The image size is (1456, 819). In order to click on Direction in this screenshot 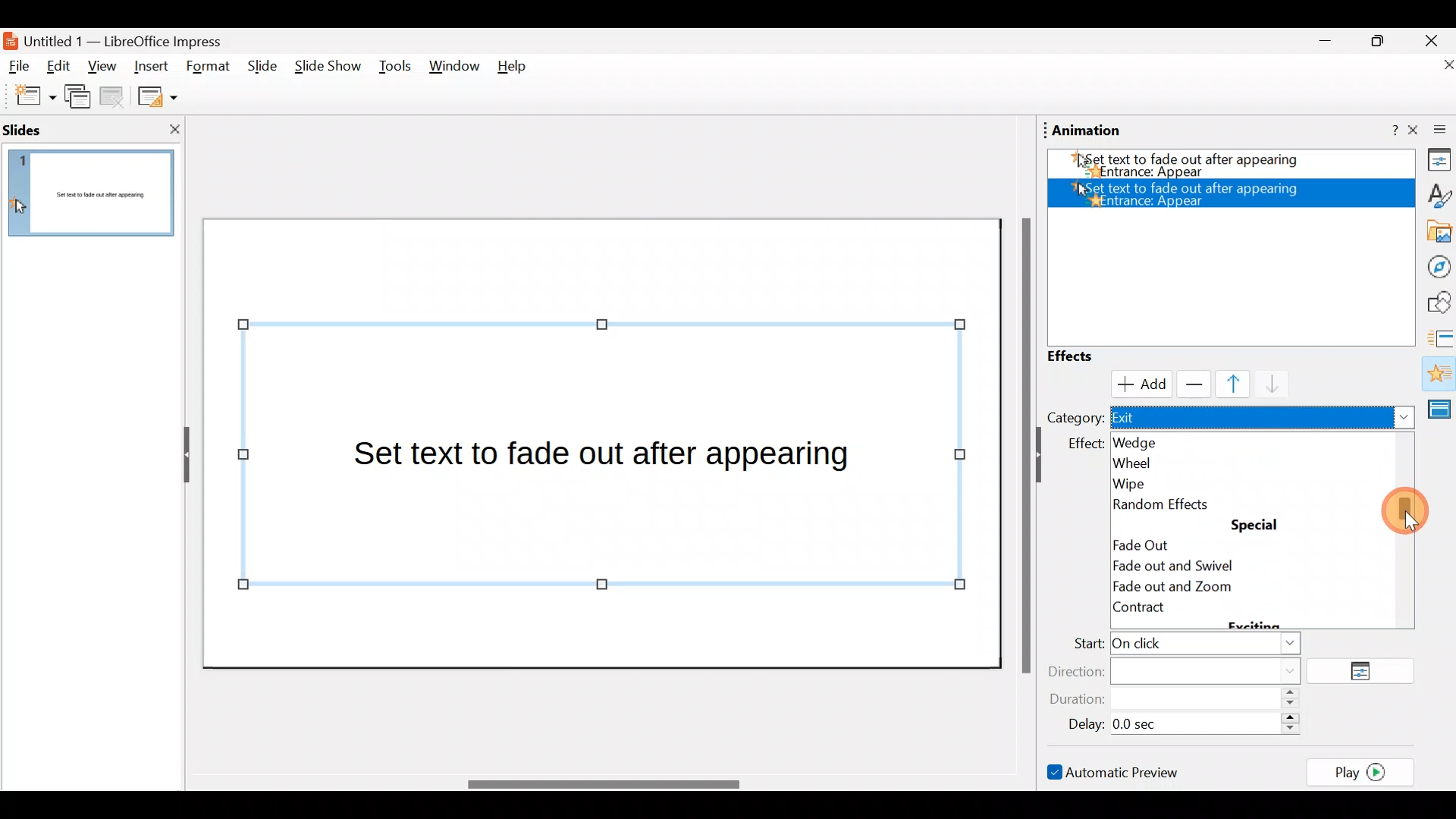, I will do `click(1184, 670)`.